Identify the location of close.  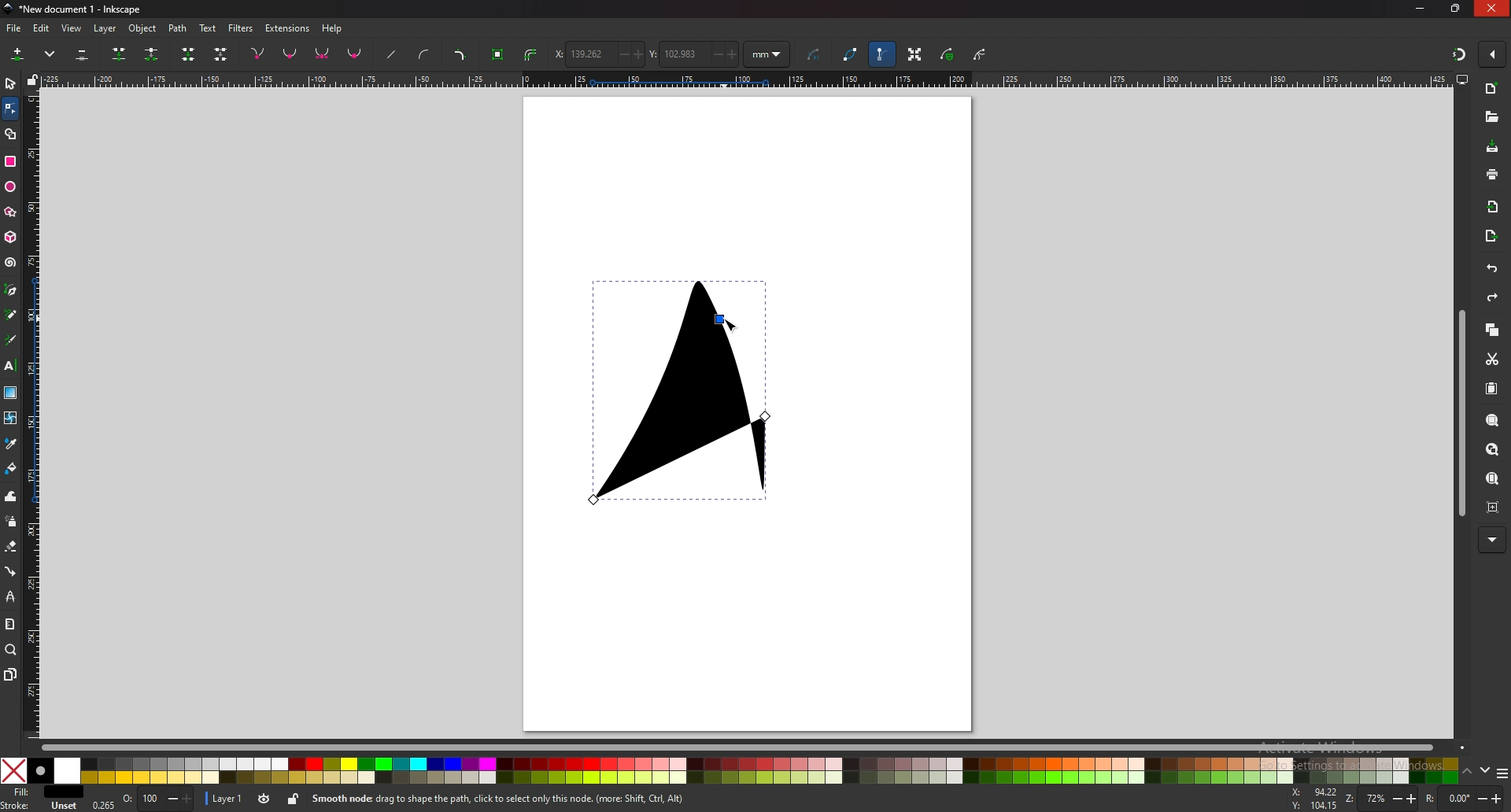
(1491, 8).